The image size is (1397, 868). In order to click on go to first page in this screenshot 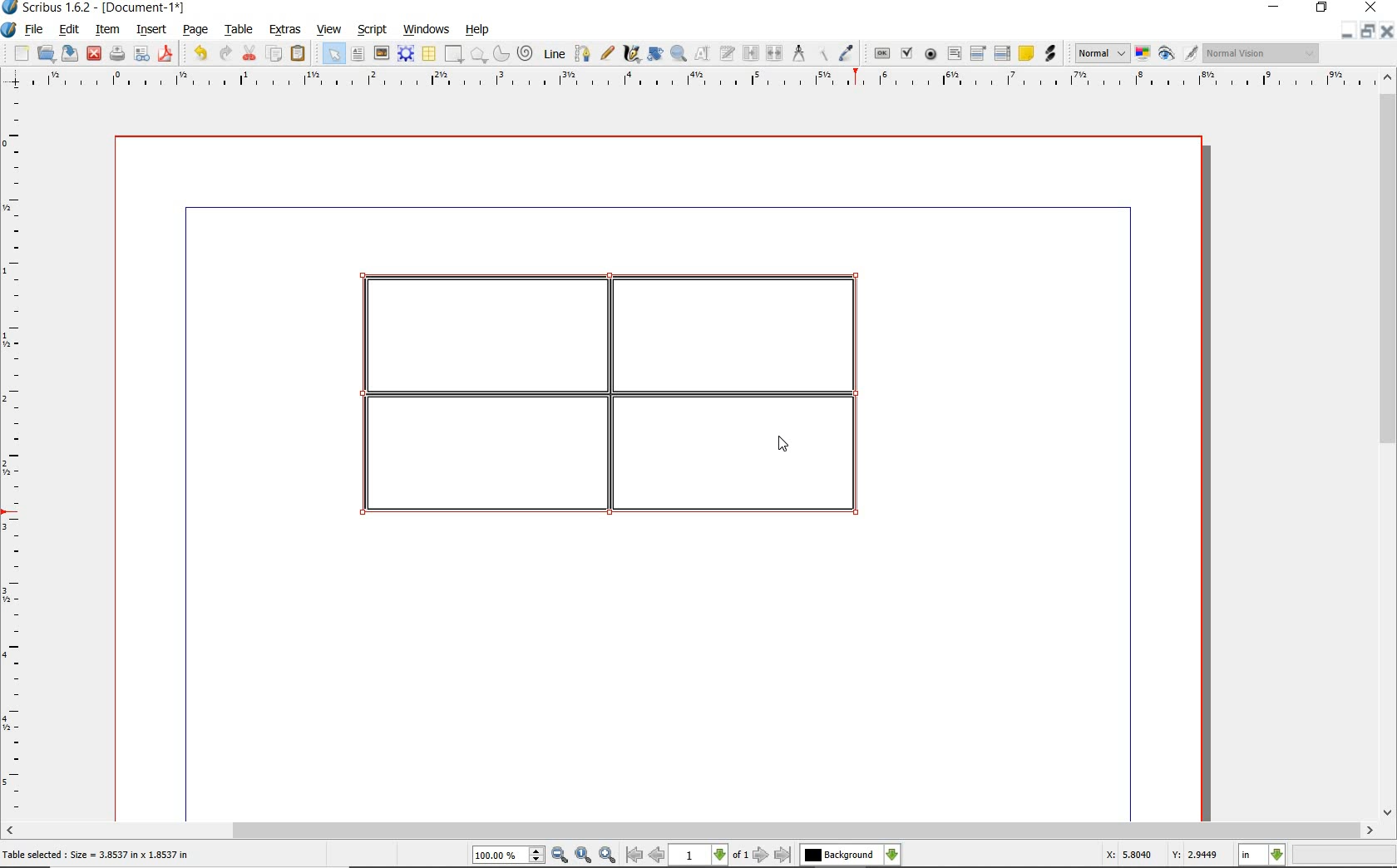, I will do `click(634, 856)`.